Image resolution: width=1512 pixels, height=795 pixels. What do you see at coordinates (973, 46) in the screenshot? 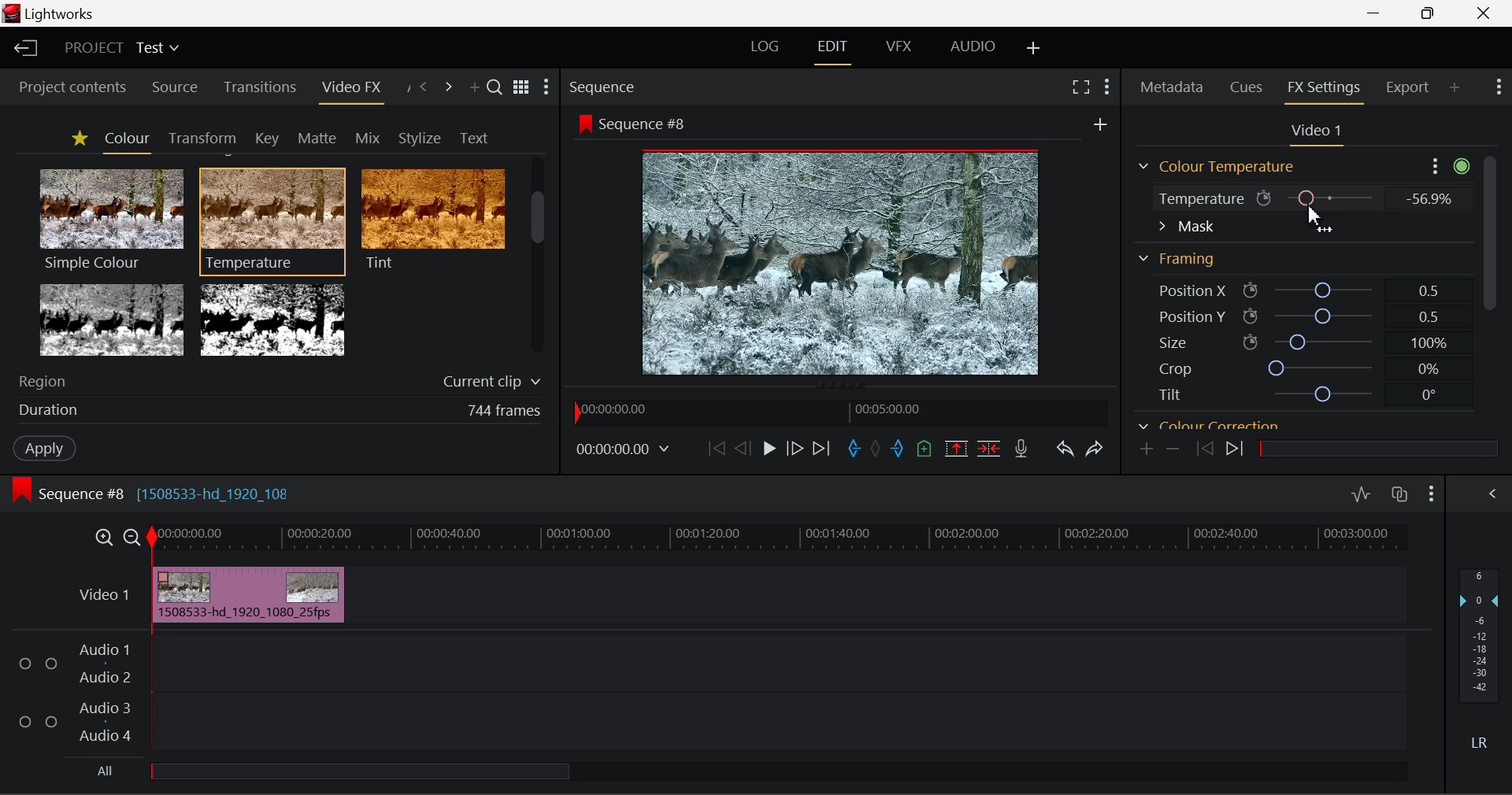
I see `AUDIO Layout` at bounding box center [973, 46].